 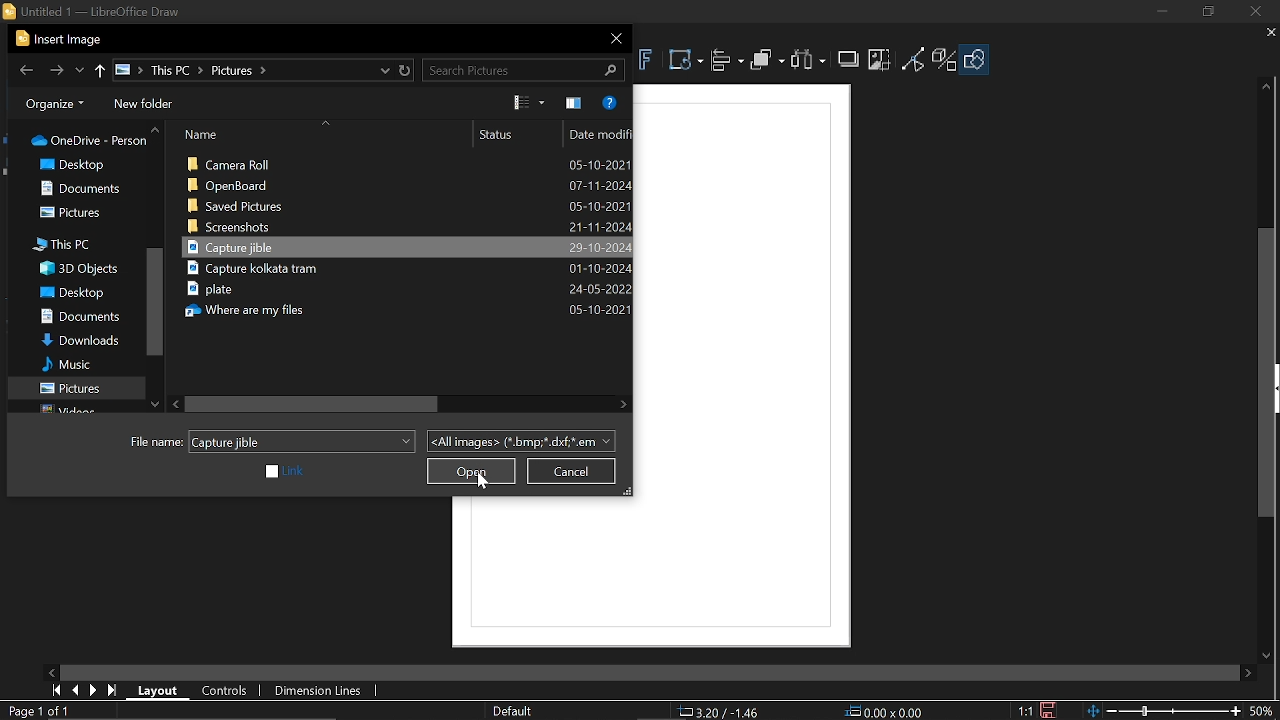 I want to click on Move down in folders, so click(x=156, y=405).